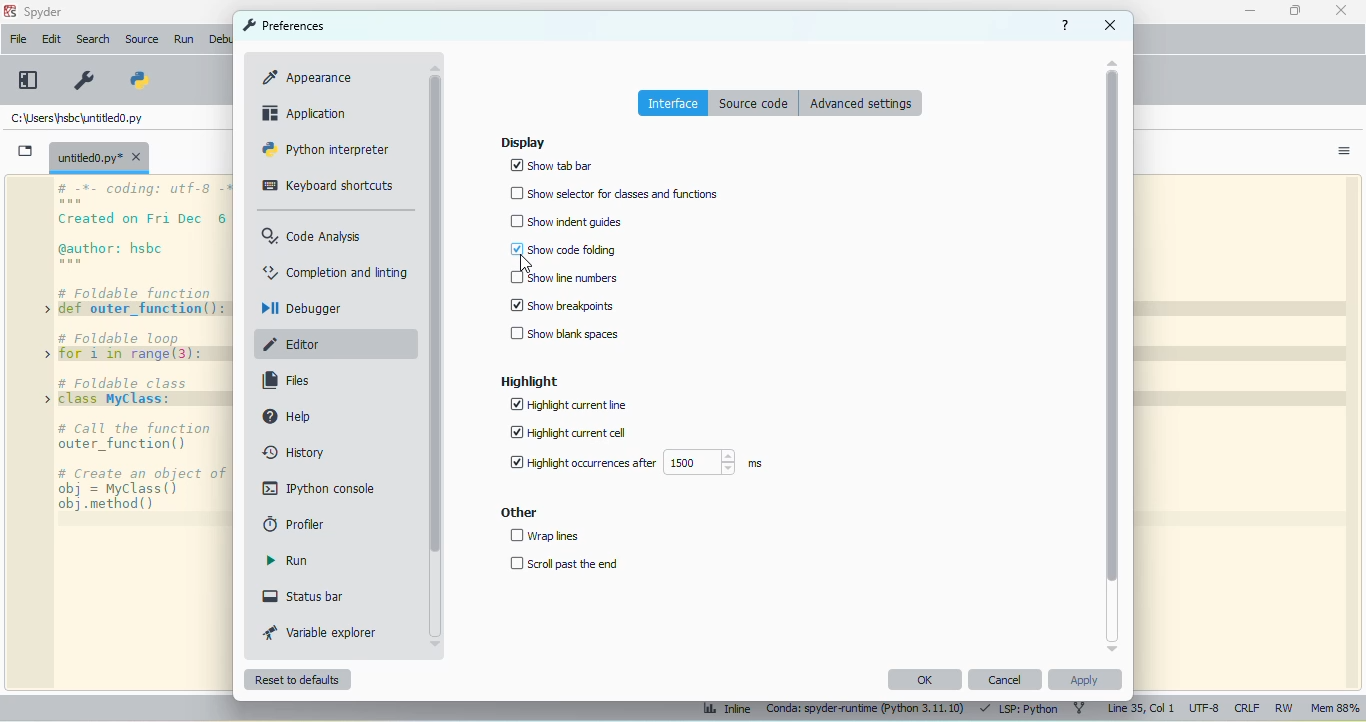  Describe the element at coordinates (1296, 10) in the screenshot. I see `maximize` at that location.